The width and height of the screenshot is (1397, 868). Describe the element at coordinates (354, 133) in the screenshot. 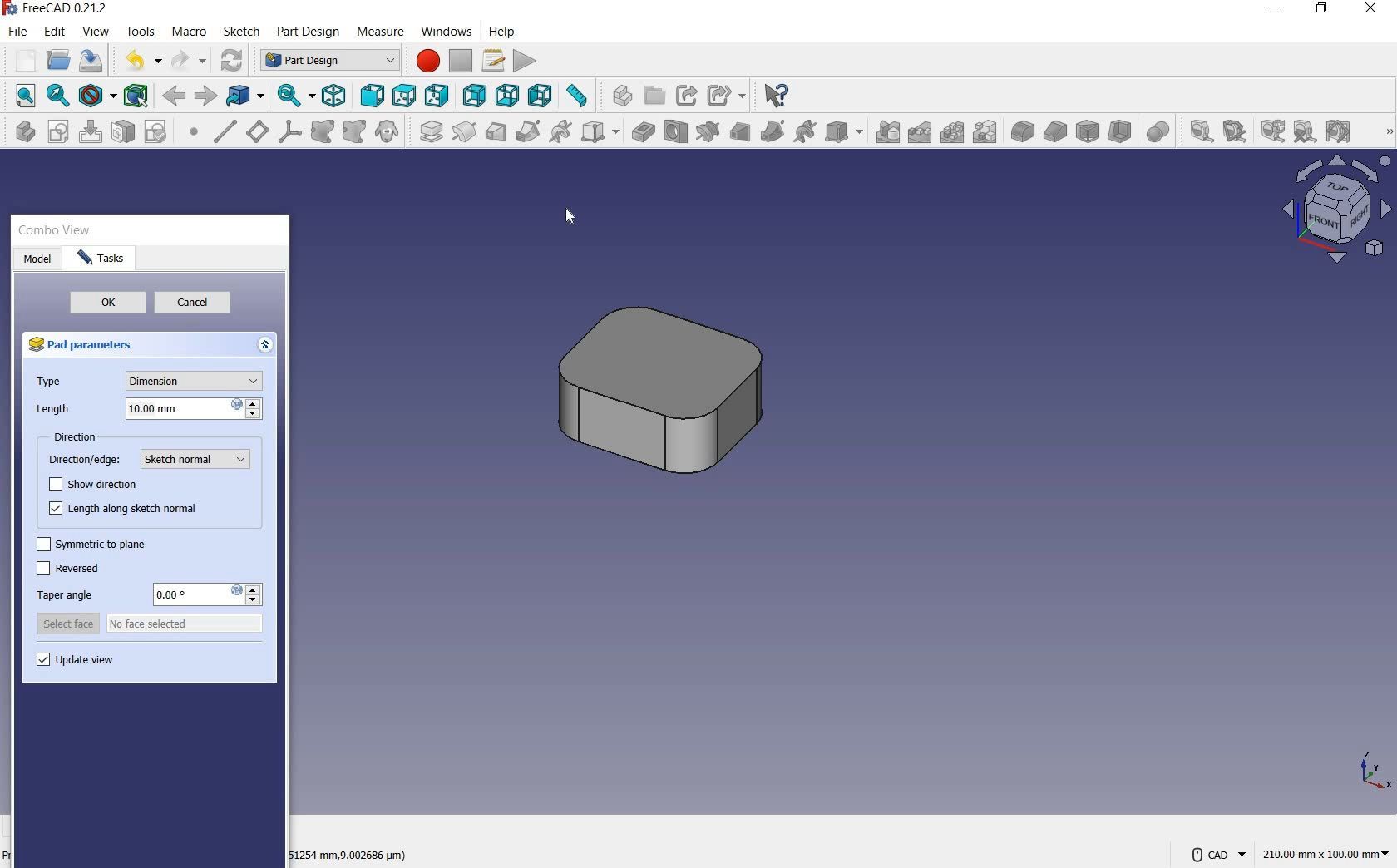

I see `create a sub-object shape binder` at that location.